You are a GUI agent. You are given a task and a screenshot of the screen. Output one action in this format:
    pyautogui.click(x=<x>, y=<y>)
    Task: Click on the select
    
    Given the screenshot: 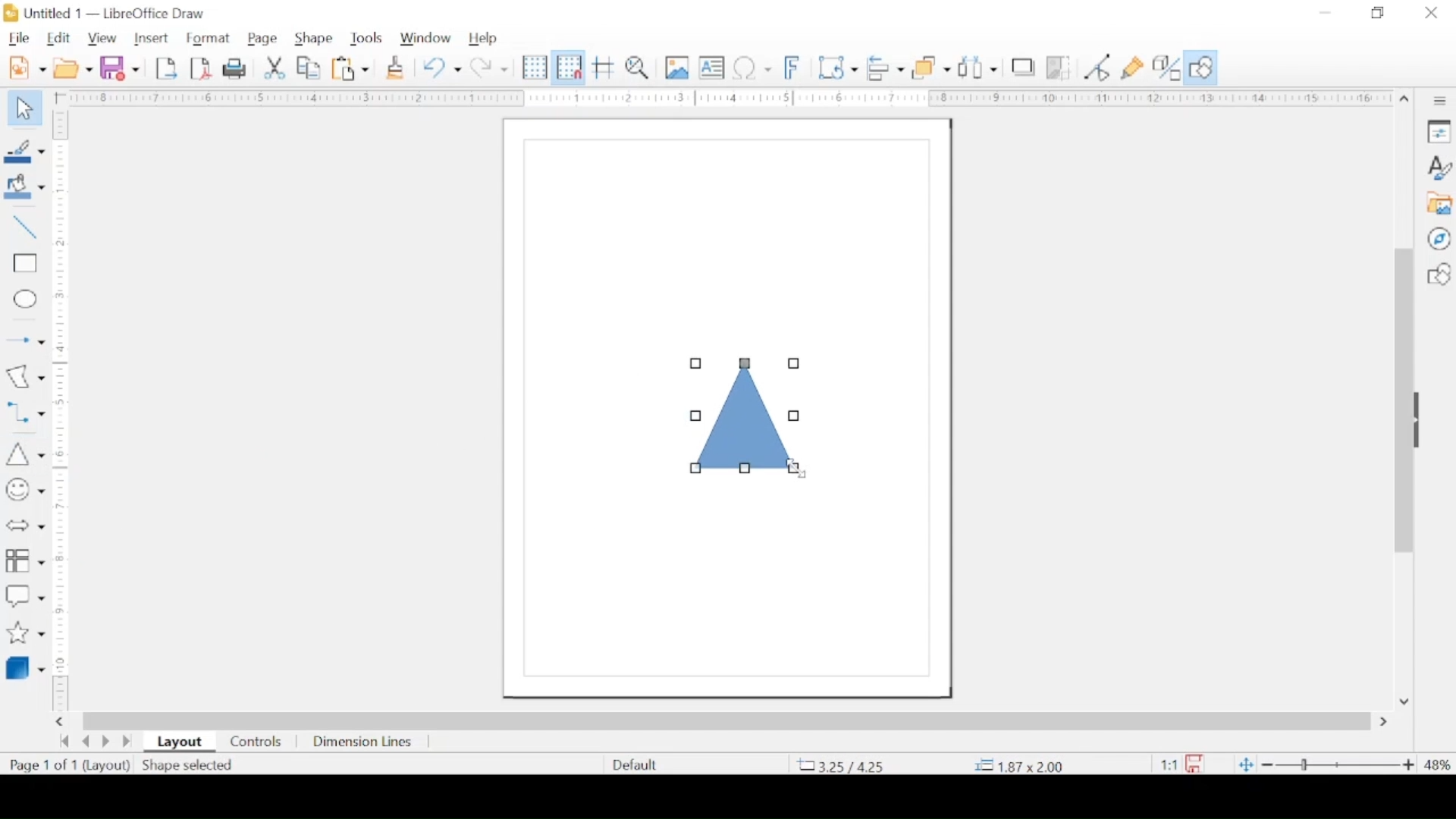 What is the action you would take?
    pyautogui.click(x=24, y=111)
    